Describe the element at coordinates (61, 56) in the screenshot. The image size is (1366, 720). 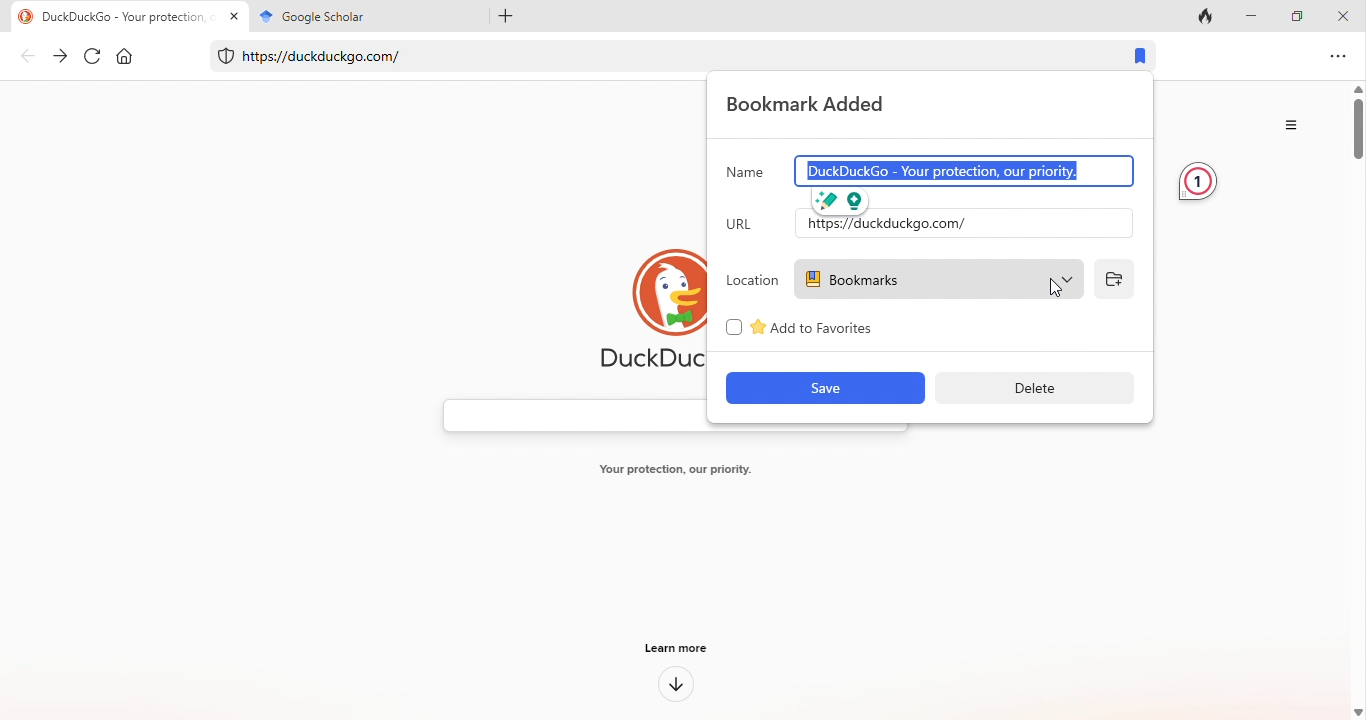
I see `forward` at that location.